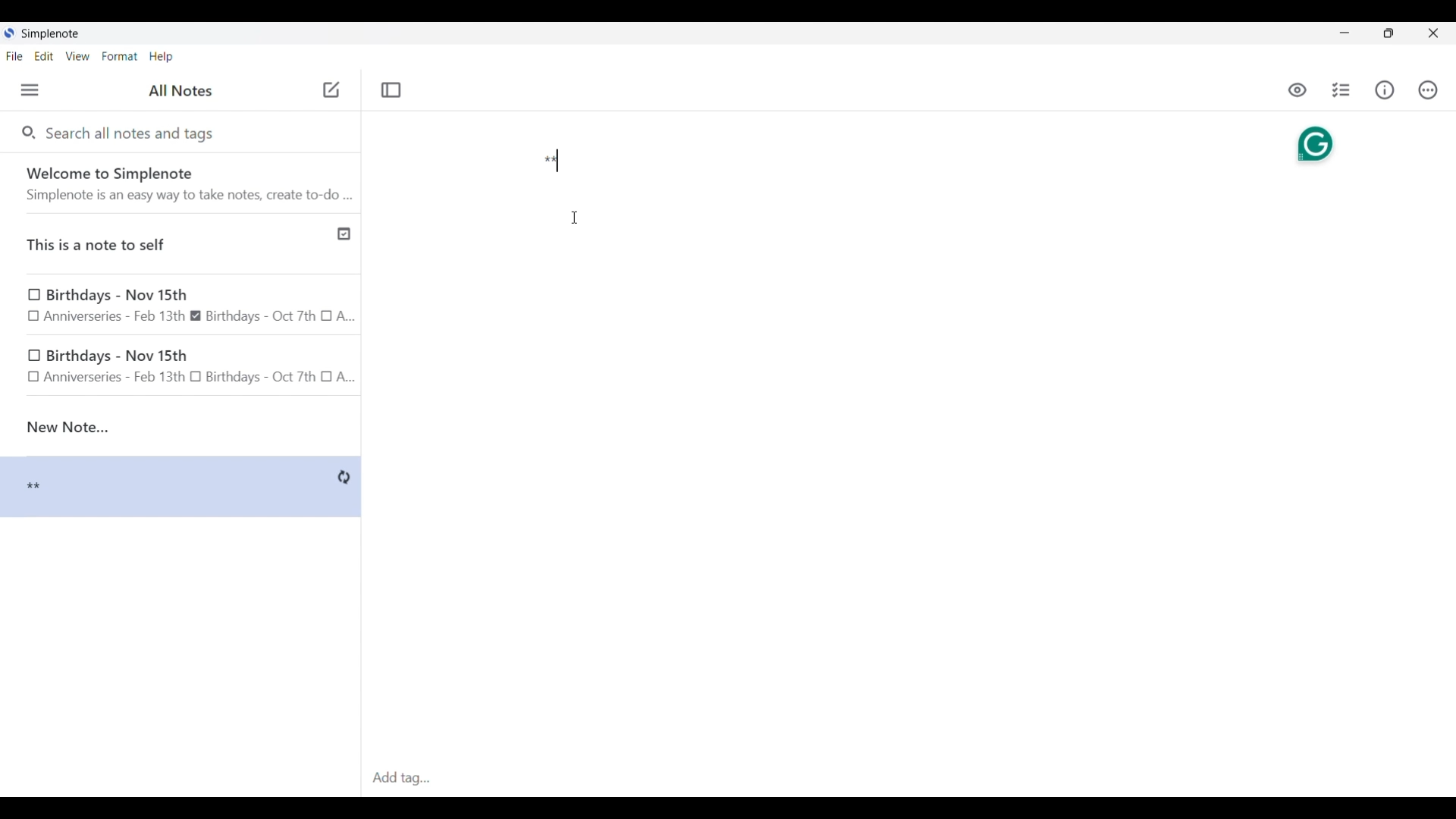 This screenshot has width=1456, height=819. I want to click on Click to add new note, so click(331, 89).